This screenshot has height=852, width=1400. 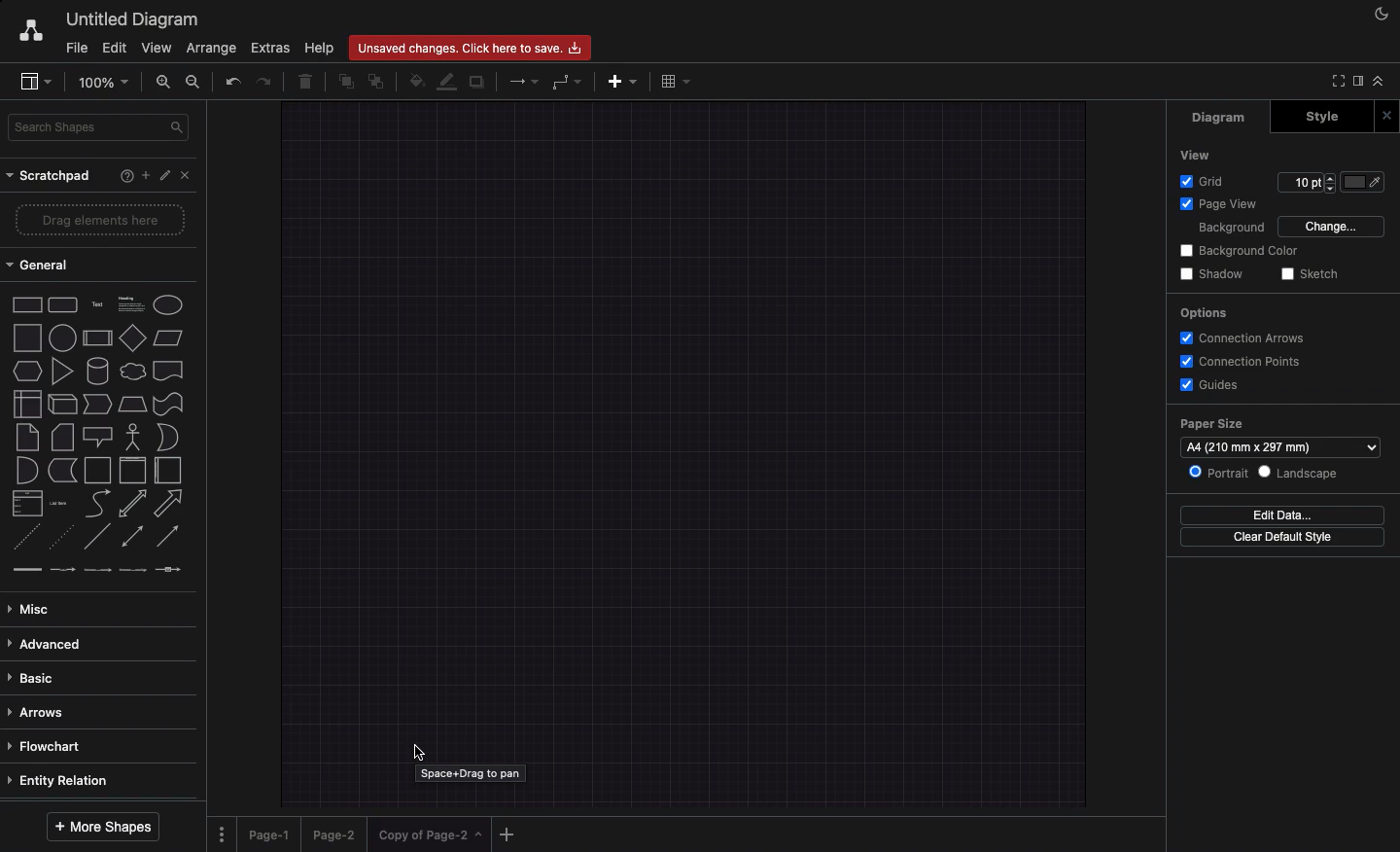 I want to click on Connection arrows, so click(x=1245, y=336).